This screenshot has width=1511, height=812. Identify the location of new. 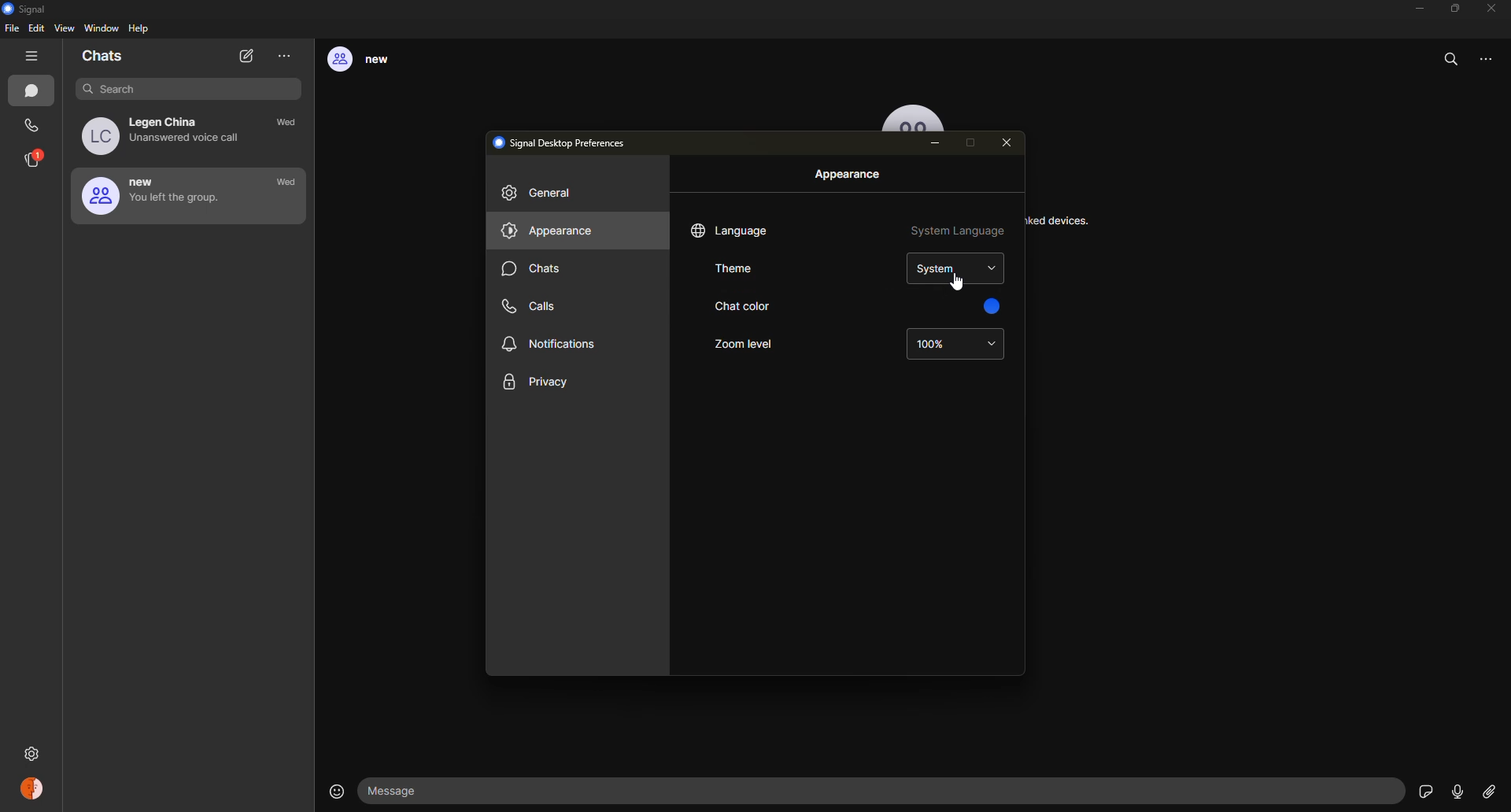
(371, 61).